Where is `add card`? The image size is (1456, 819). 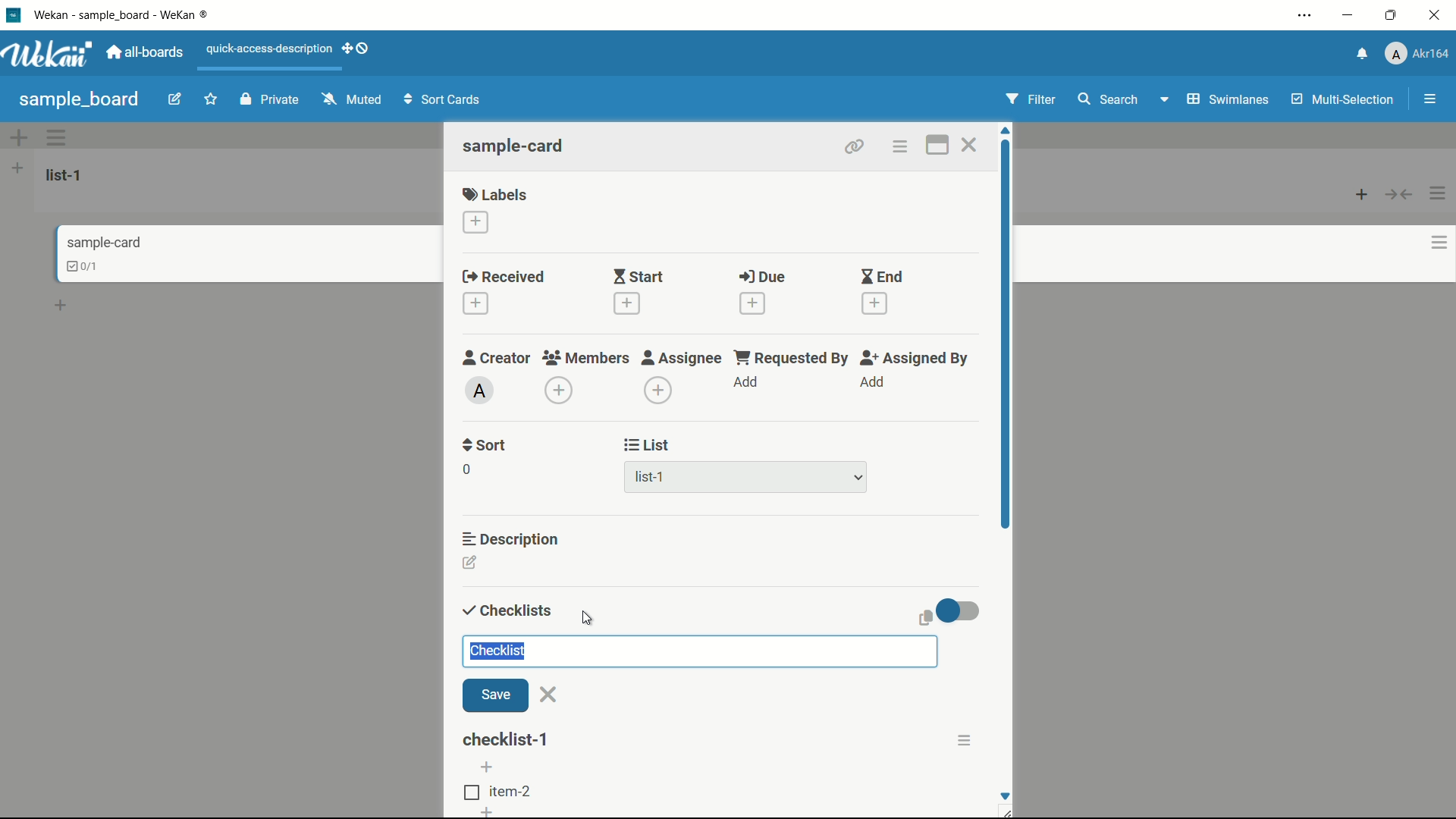 add card is located at coordinates (1362, 193).